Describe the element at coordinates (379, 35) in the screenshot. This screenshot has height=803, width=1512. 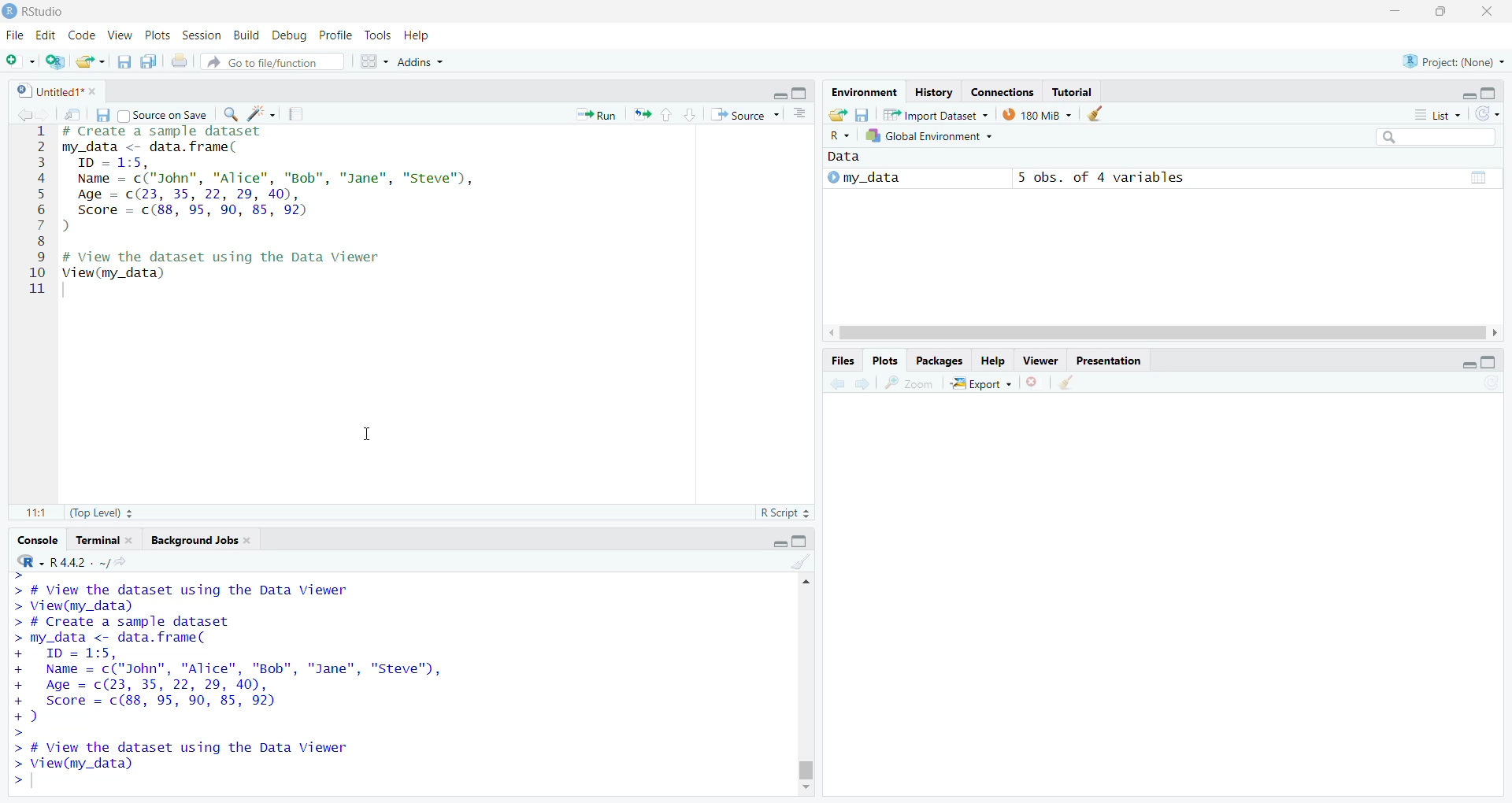
I see `Tools` at that location.